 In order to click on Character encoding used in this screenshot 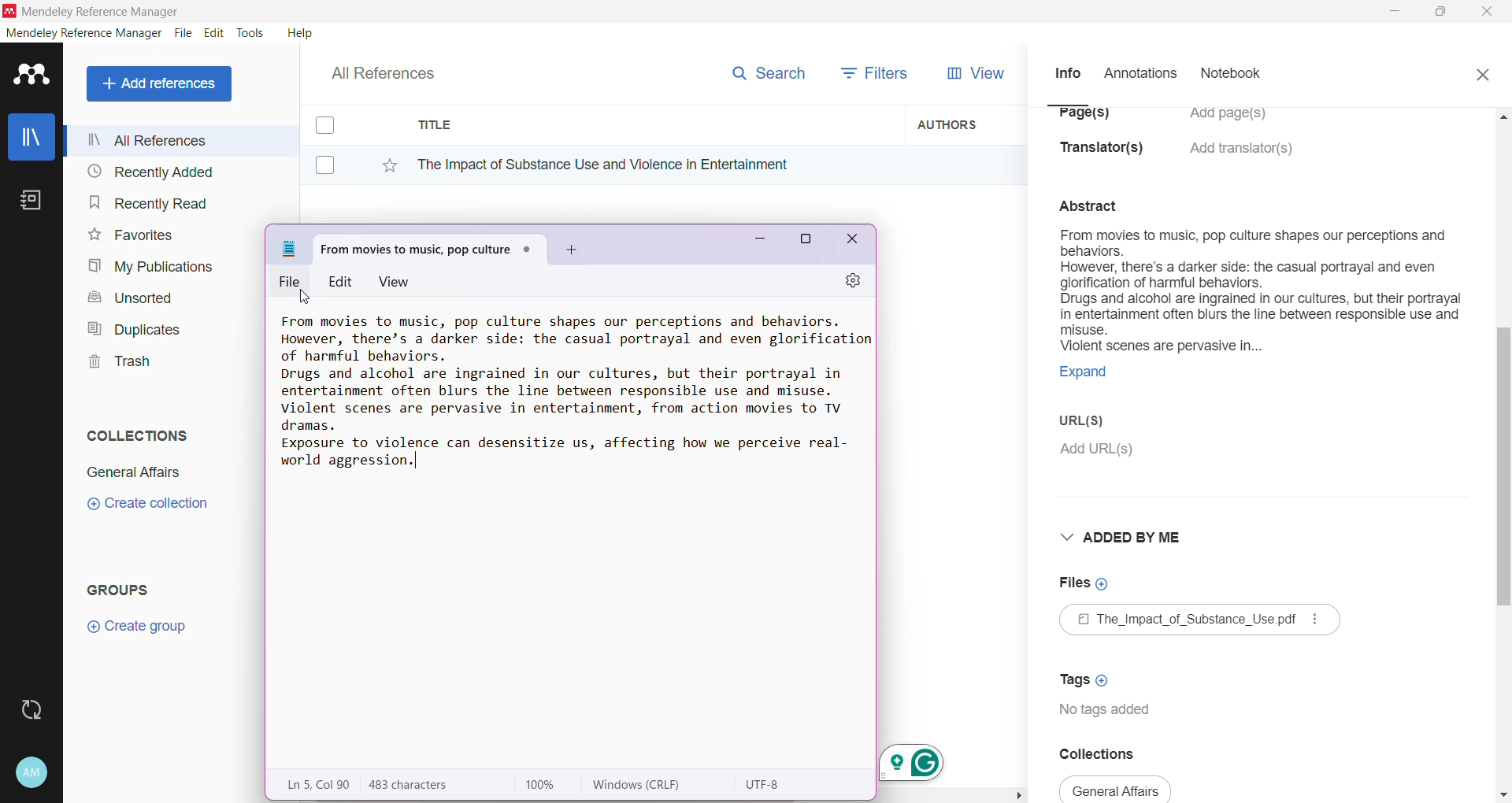, I will do `click(766, 785)`.